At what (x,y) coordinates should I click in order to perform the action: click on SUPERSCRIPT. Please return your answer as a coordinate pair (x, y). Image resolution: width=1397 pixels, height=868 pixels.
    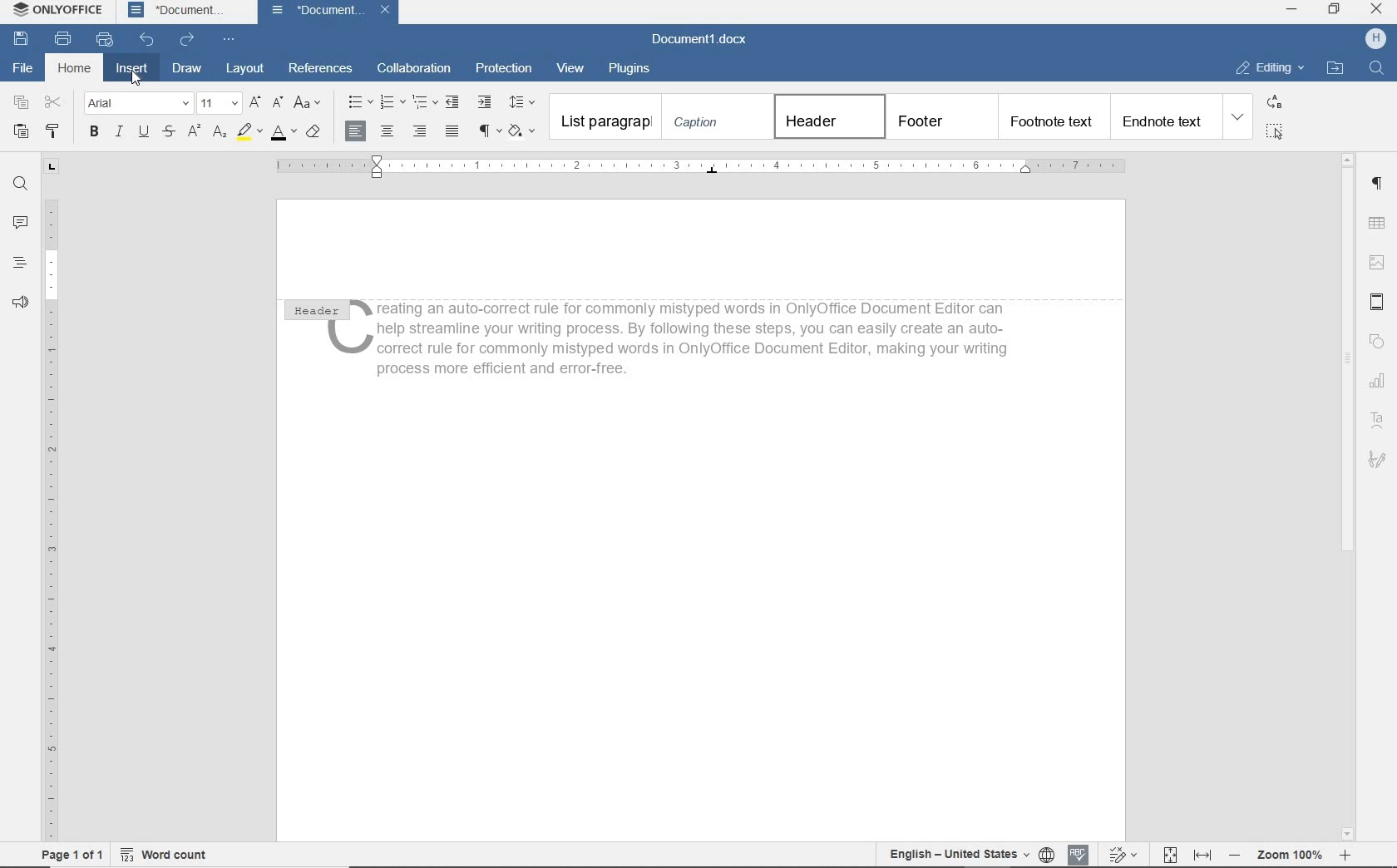
    Looking at the image, I should click on (195, 132).